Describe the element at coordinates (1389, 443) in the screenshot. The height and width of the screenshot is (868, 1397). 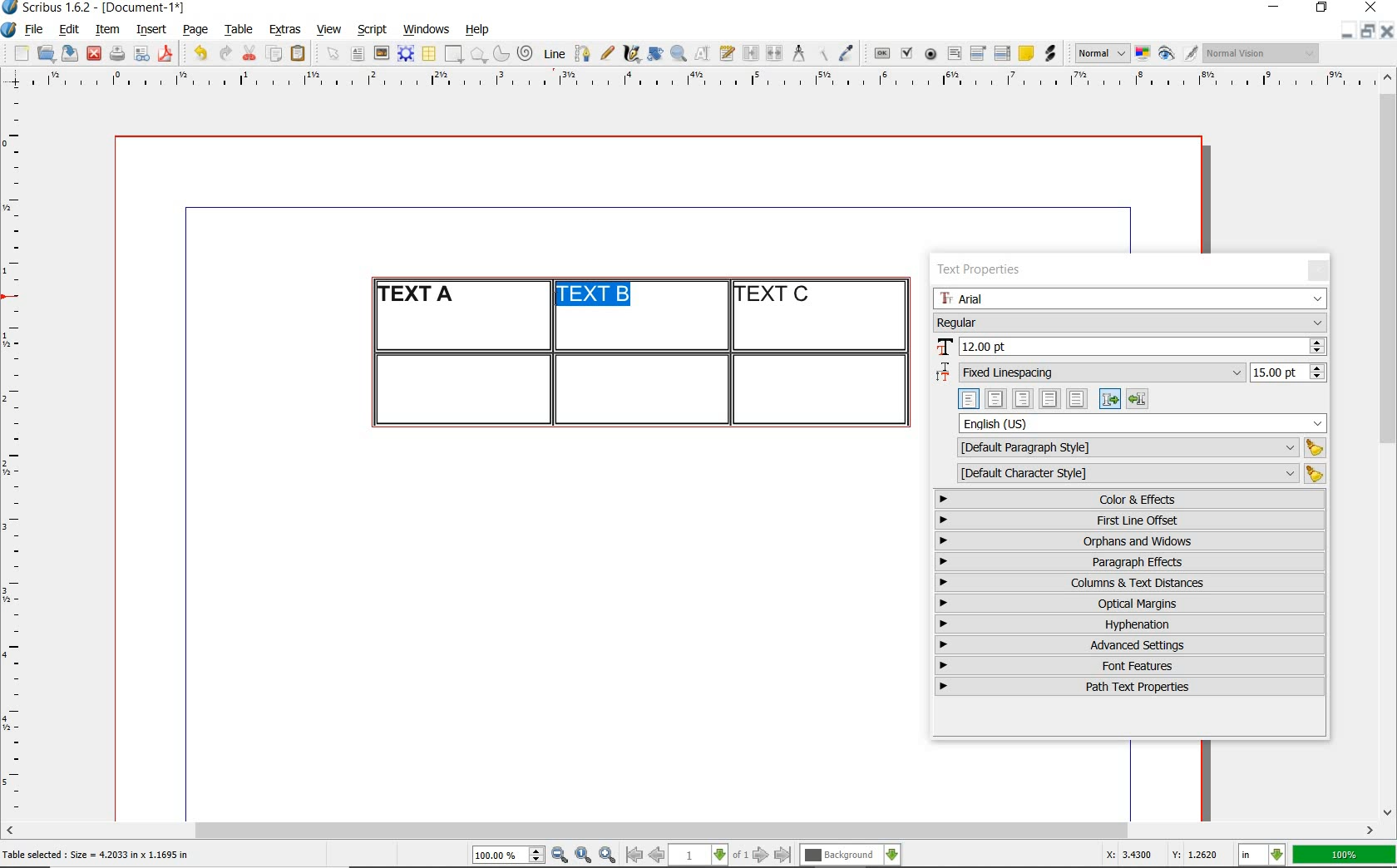
I see `scrollbar` at that location.